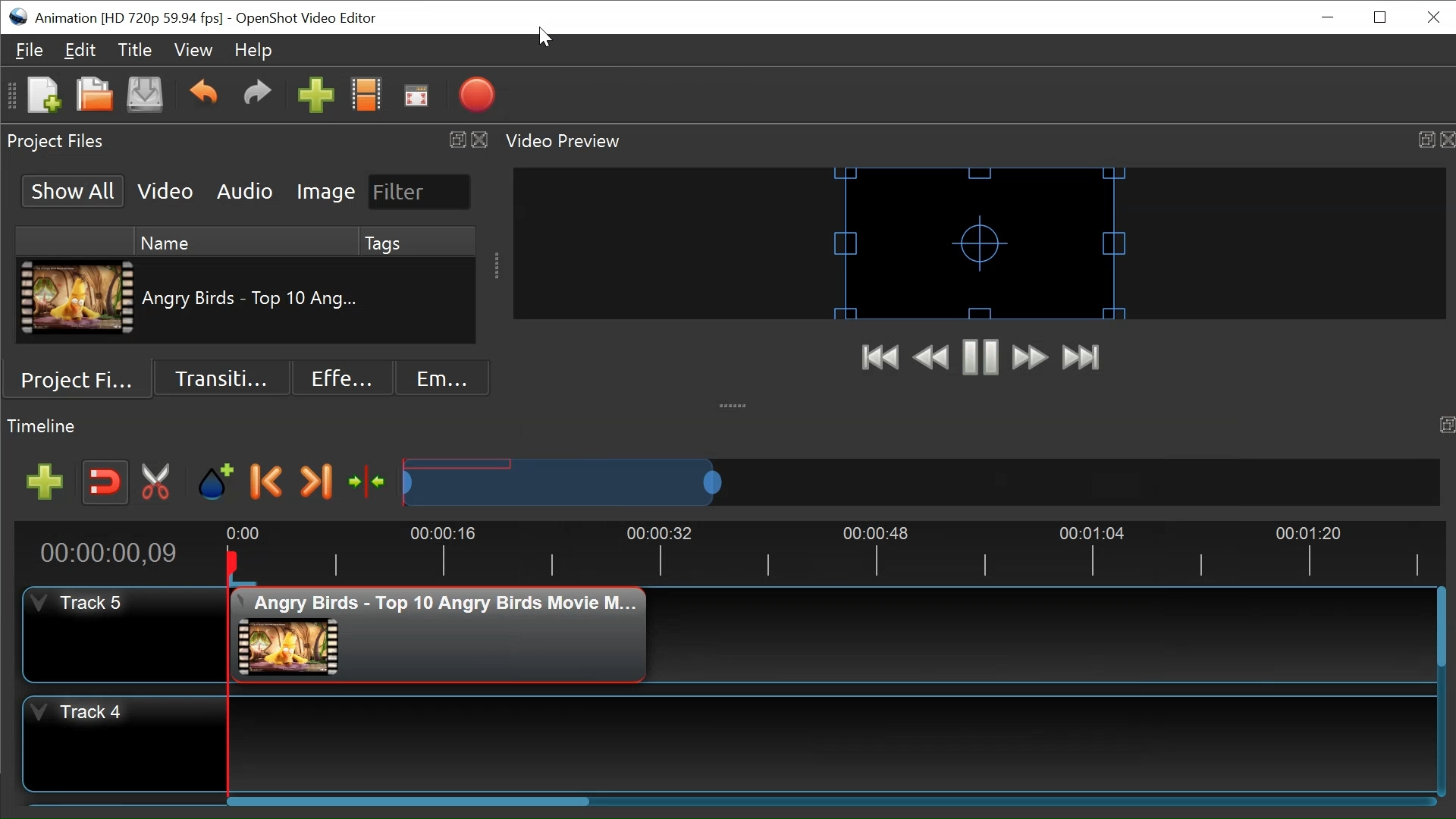 This screenshot has height=819, width=1456. Describe the element at coordinates (370, 484) in the screenshot. I see `Center the timeline on the playhead` at that location.